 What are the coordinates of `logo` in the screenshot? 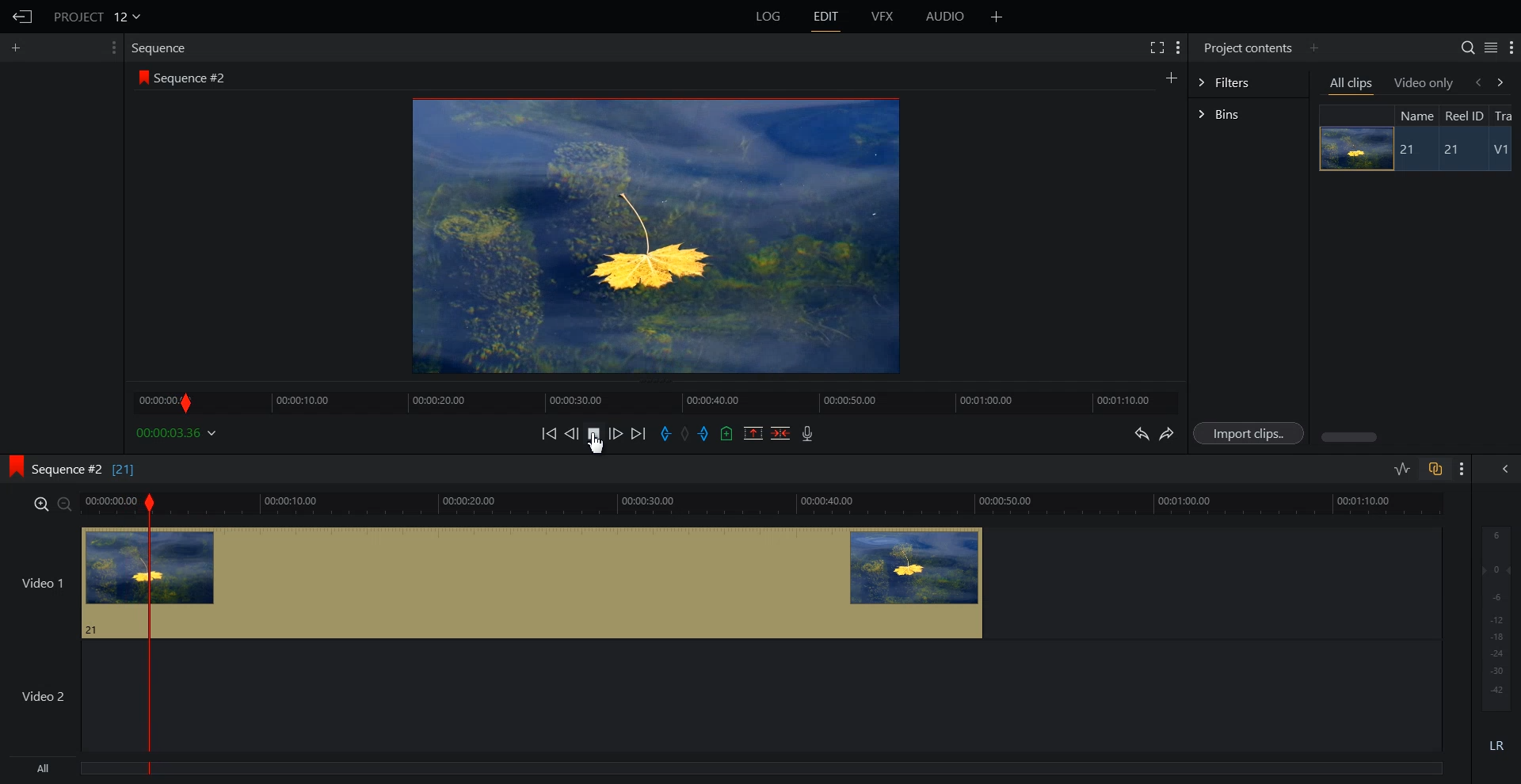 It's located at (11, 464).